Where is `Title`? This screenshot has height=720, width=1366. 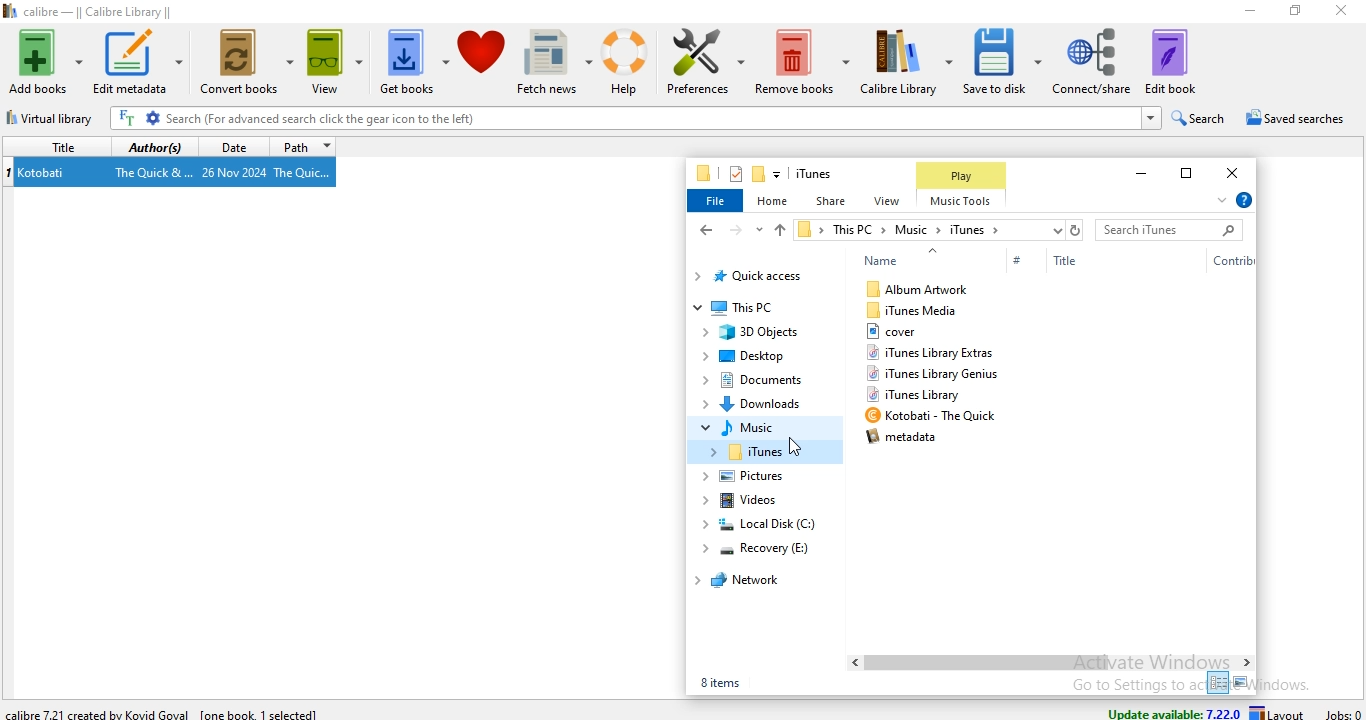 Title is located at coordinates (1069, 263).